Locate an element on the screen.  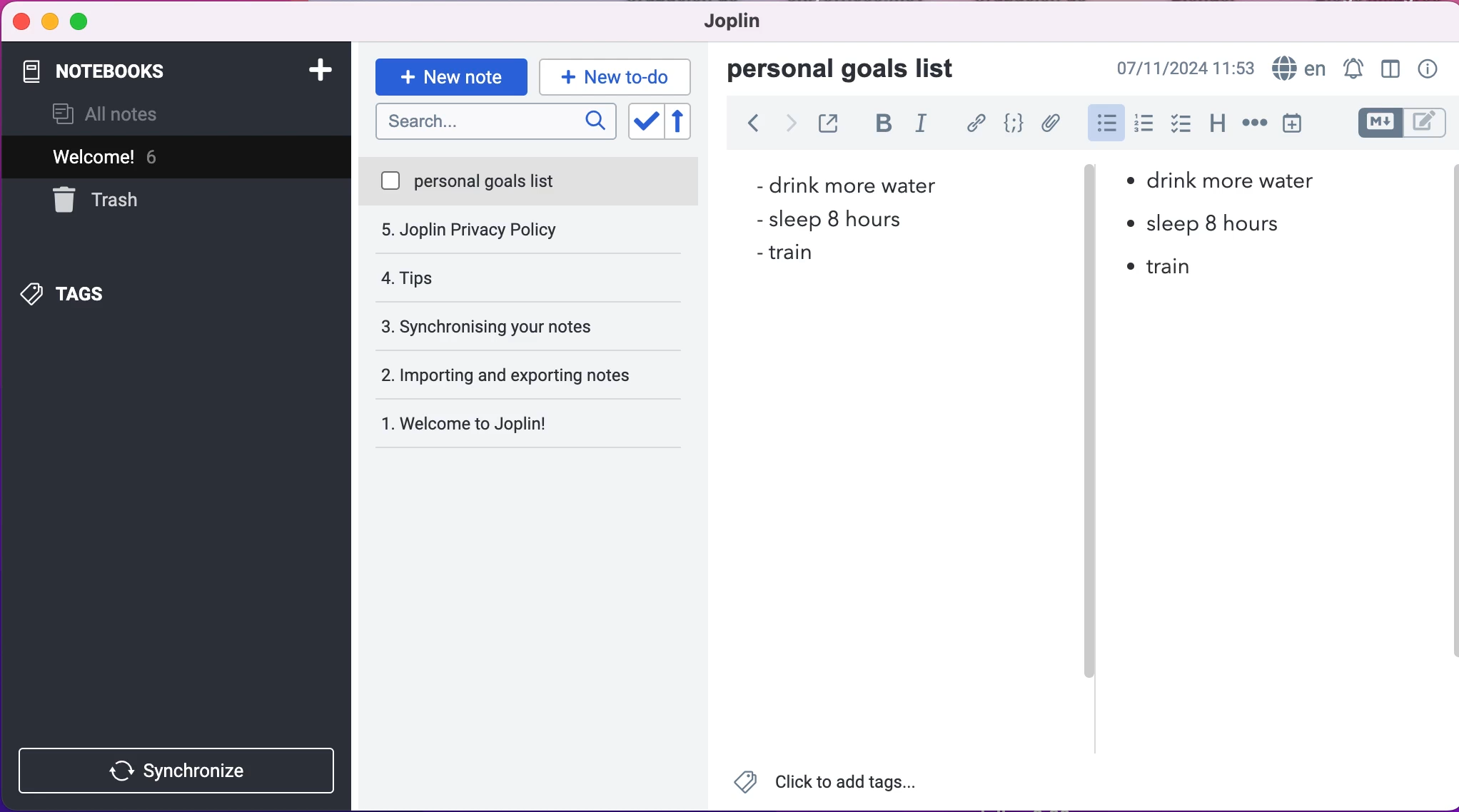
hyperlink is located at coordinates (976, 123).